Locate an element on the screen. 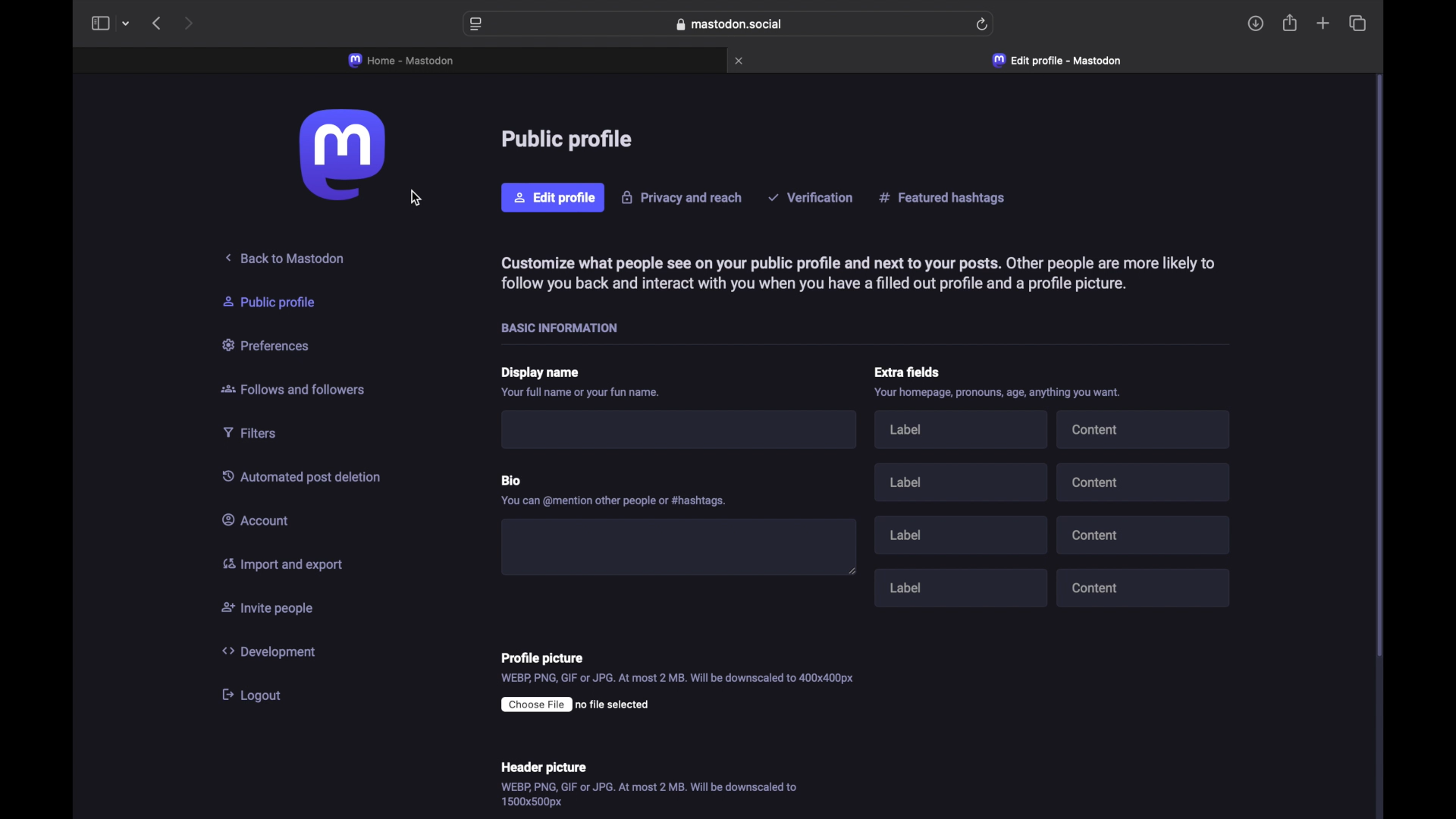  profile picture is located at coordinates (542, 657).